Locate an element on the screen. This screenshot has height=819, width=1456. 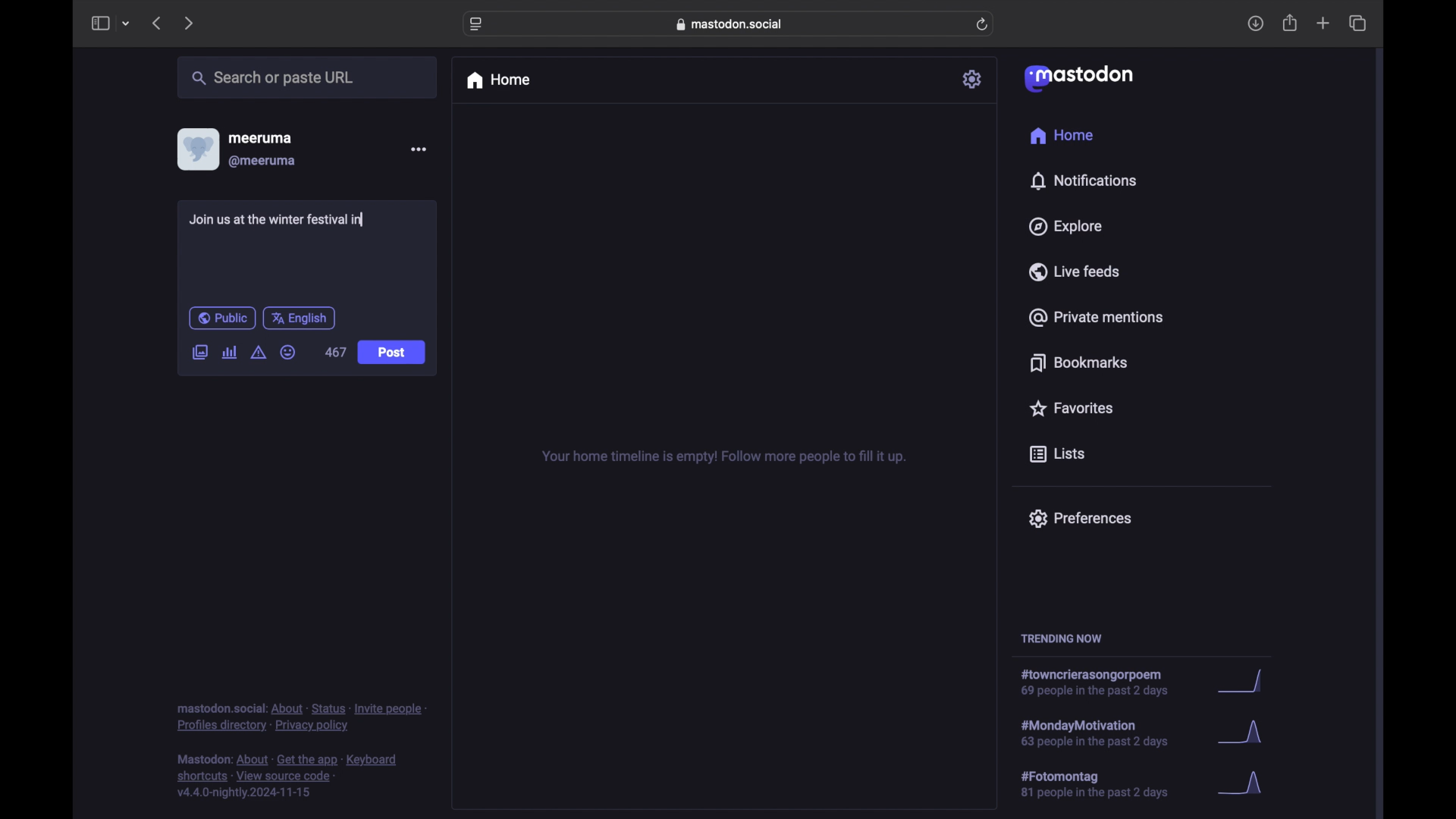
previous is located at coordinates (156, 23).